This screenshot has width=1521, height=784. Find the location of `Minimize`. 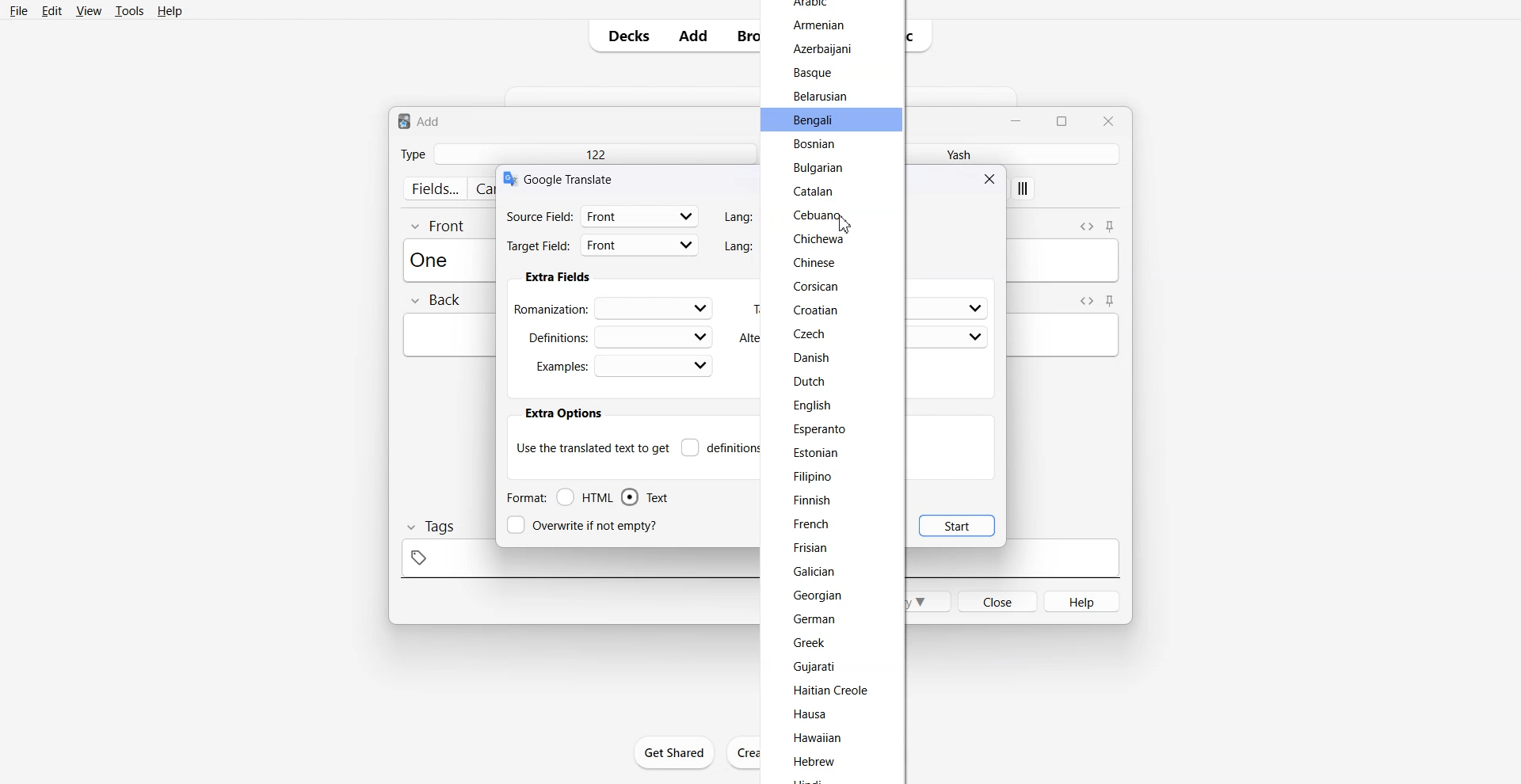

Minimize is located at coordinates (1018, 120).